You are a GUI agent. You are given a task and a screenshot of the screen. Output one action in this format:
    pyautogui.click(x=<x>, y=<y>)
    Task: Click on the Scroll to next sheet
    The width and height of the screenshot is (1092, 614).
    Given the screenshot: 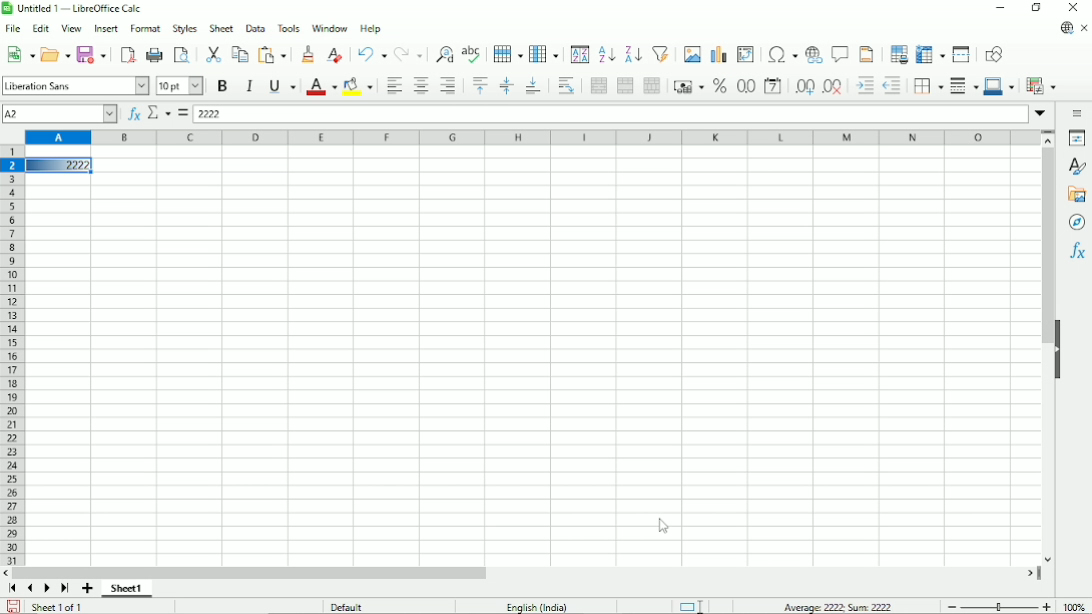 What is the action you would take?
    pyautogui.click(x=47, y=589)
    